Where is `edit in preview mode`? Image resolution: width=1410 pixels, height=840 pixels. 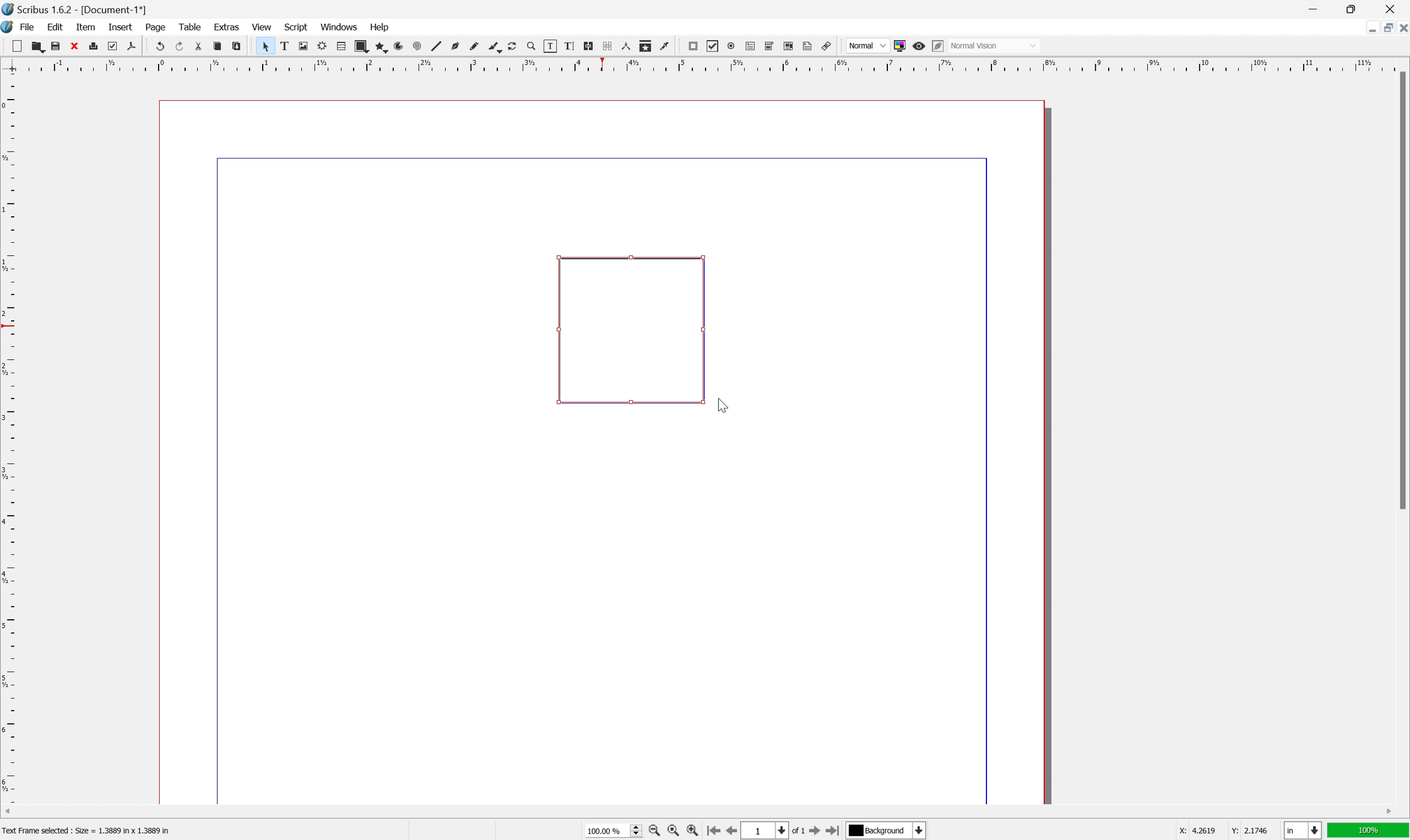 edit in preview mode is located at coordinates (938, 46).